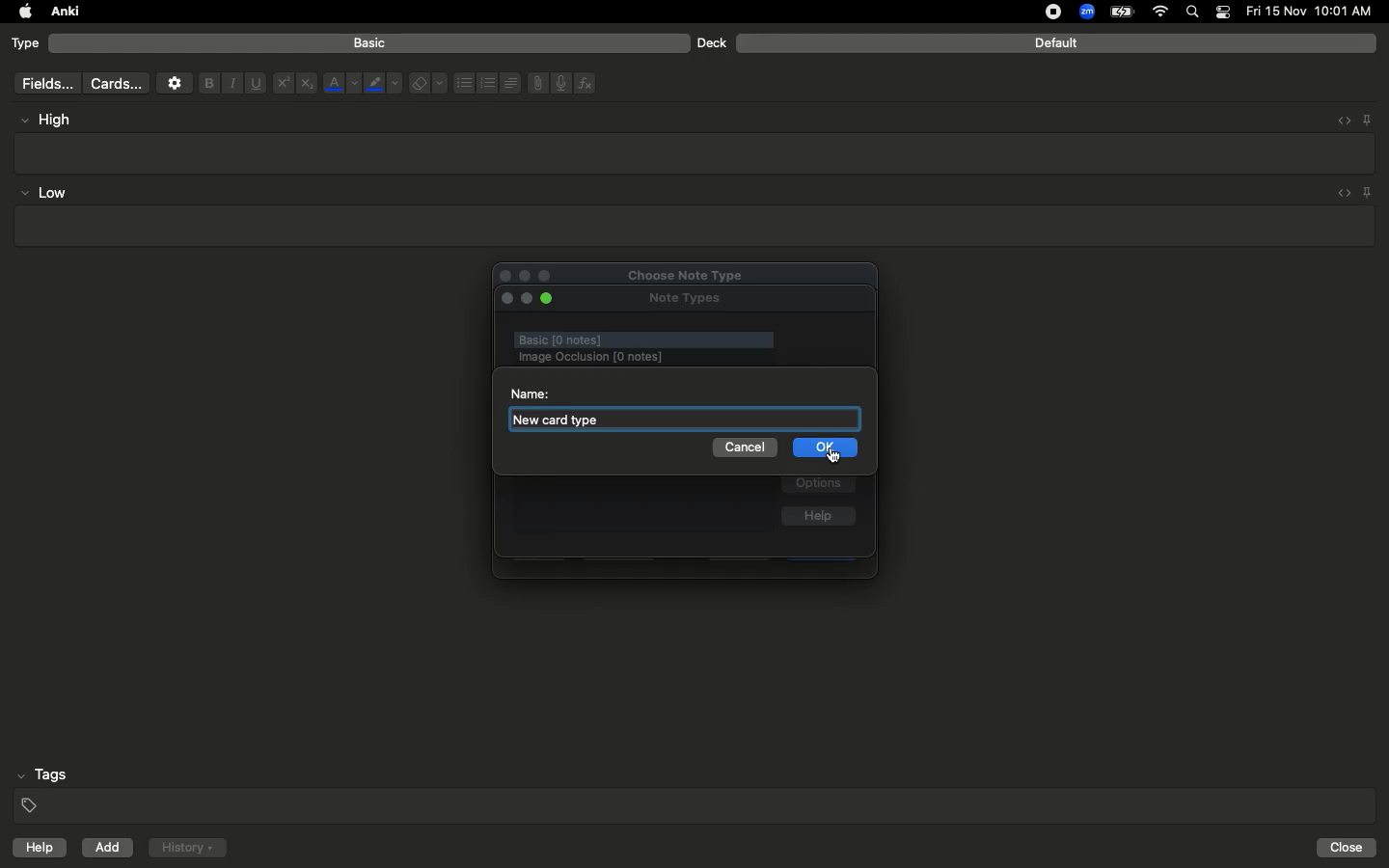 This screenshot has width=1389, height=868. What do you see at coordinates (818, 518) in the screenshot?
I see `help` at bounding box center [818, 518].